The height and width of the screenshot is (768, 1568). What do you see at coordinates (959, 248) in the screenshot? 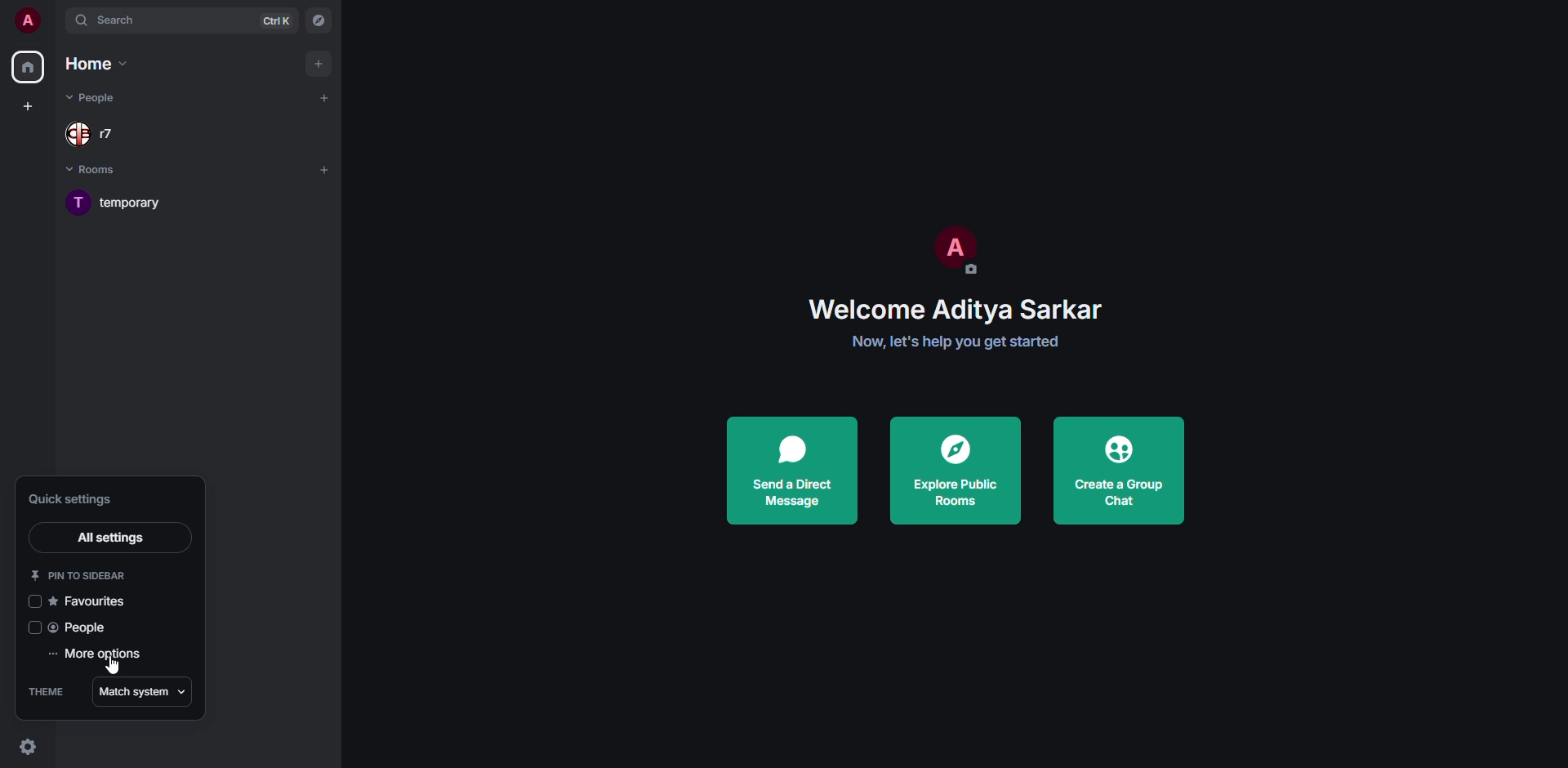
I see `profile pic` at bounding box center [959, 248].